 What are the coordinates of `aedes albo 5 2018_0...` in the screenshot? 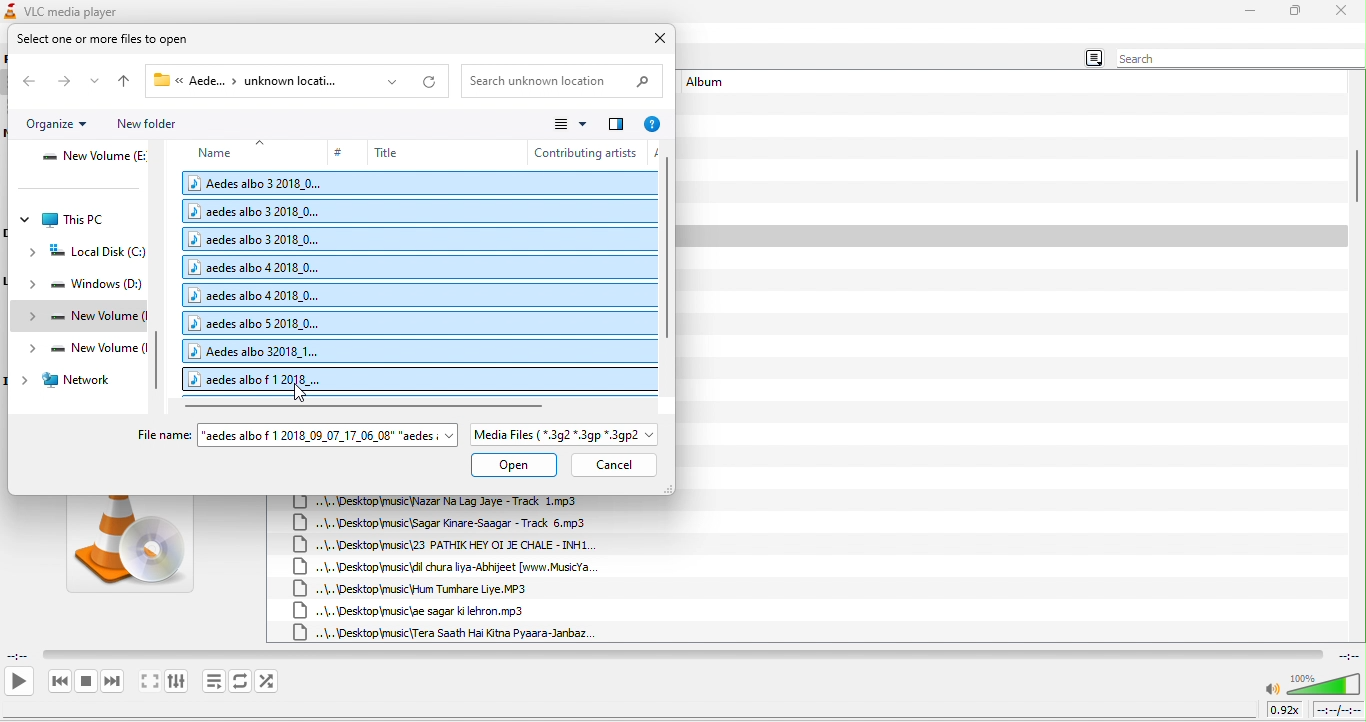 It's located at (256, 323).